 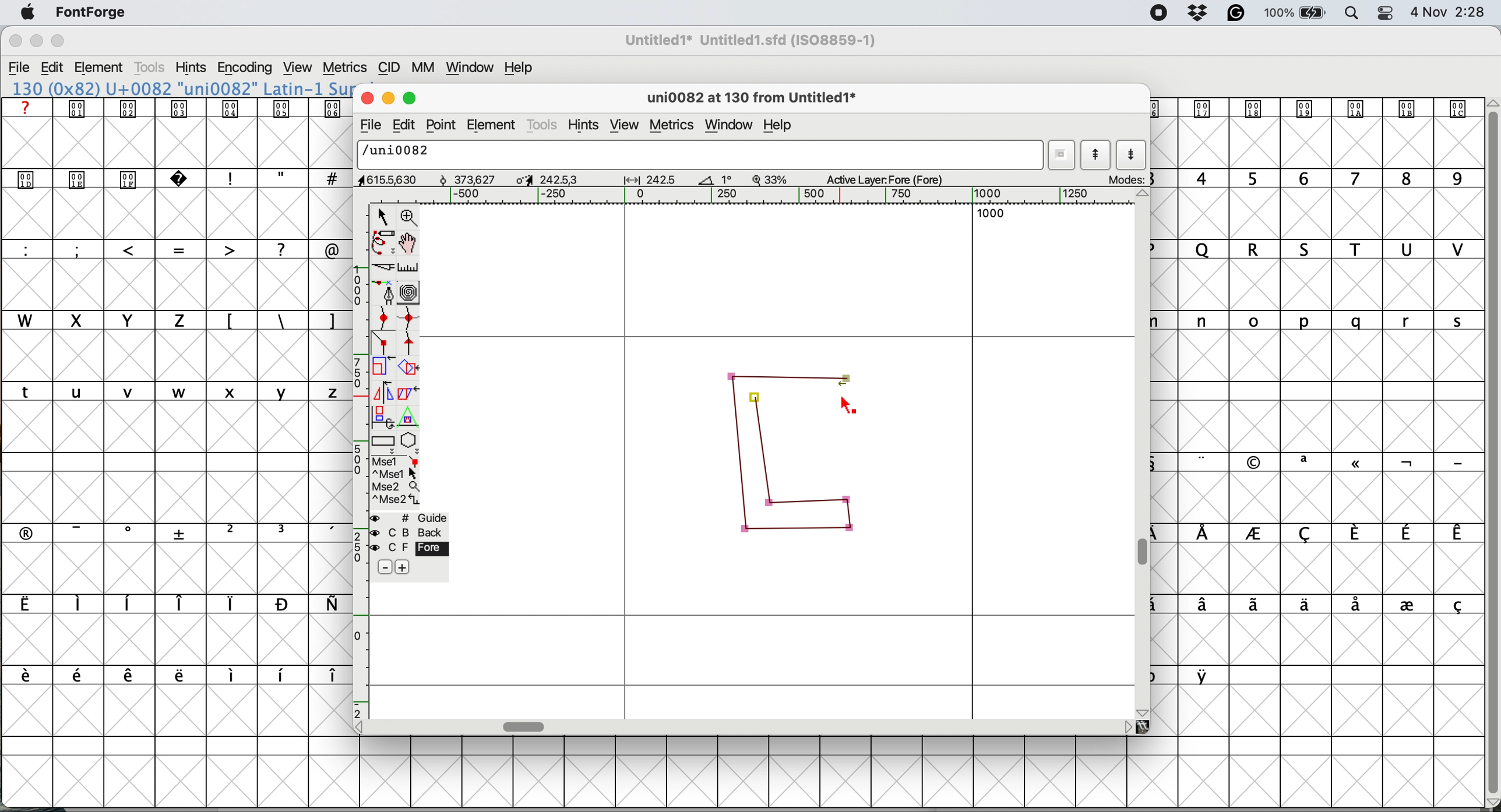 What do you see at coordinates (177, 249) in the screenshot?
I see `special characters` at bounding box center [177, 249].